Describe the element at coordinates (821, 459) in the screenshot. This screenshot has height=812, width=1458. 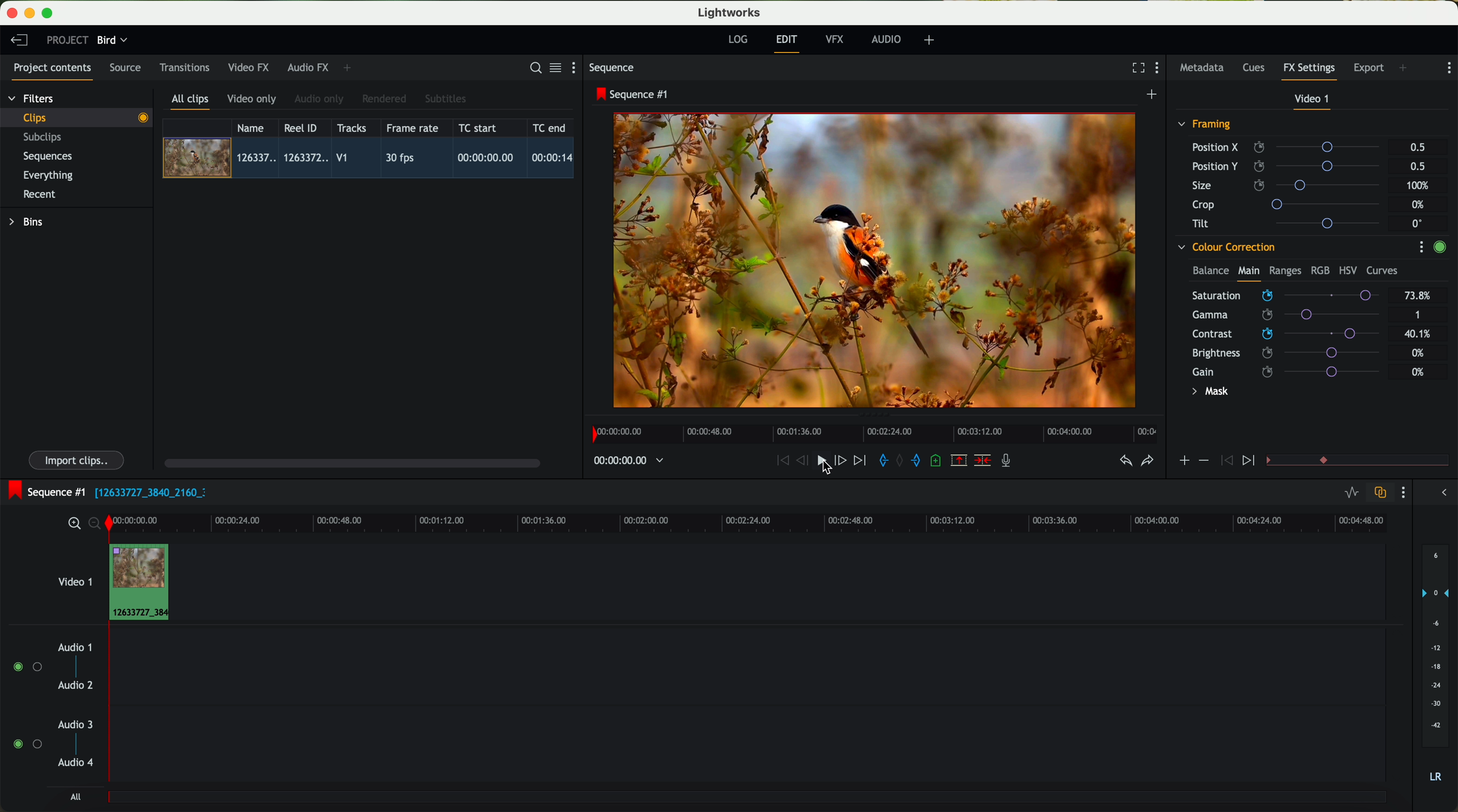
I see `play` at that location.